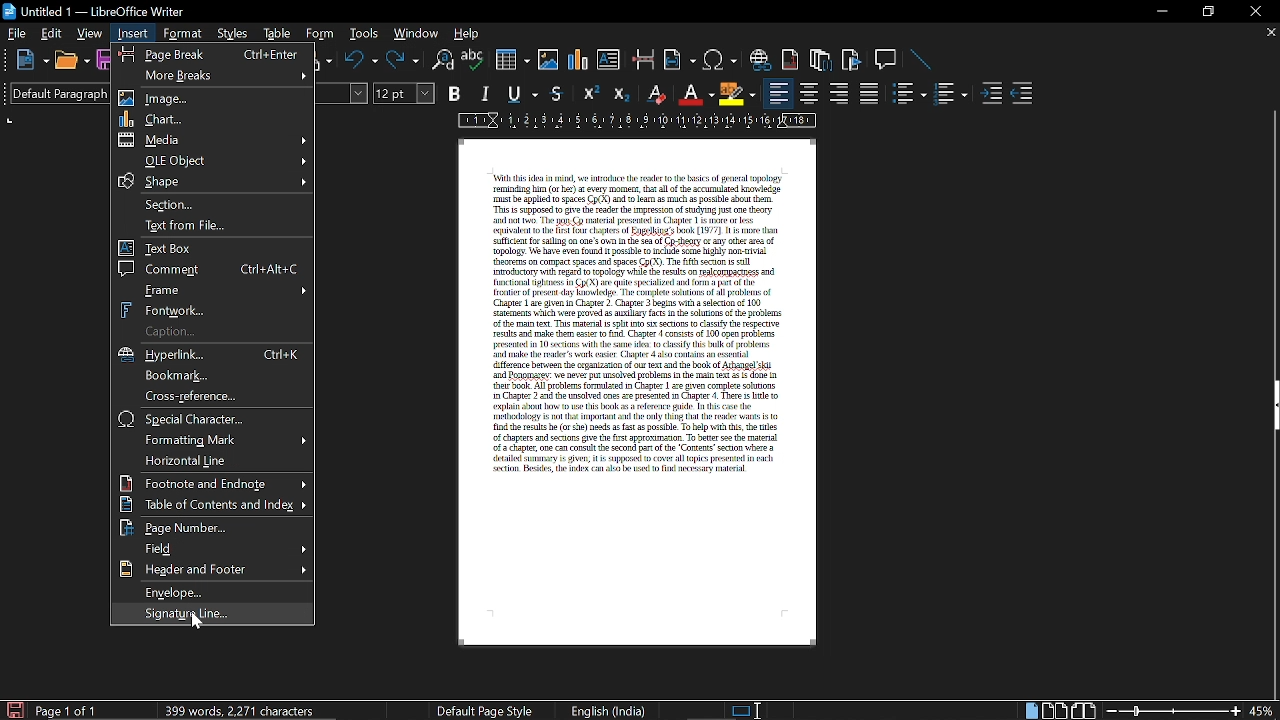 This screenshot has height=720, width=1280. Describe the element at coordinates (744, 711) in the screenshot. I see `standard selection` at that location.